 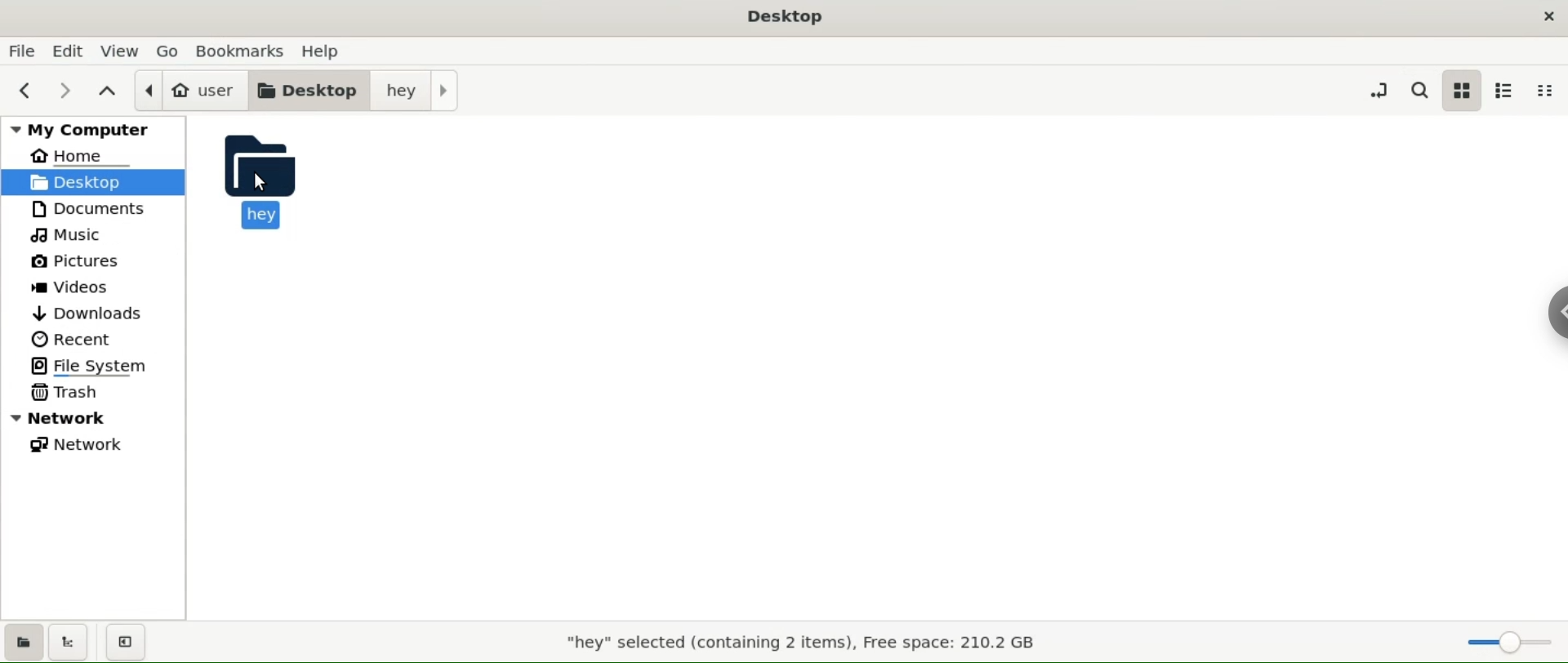 I want to click on cursor, so click(x=262, y=183).